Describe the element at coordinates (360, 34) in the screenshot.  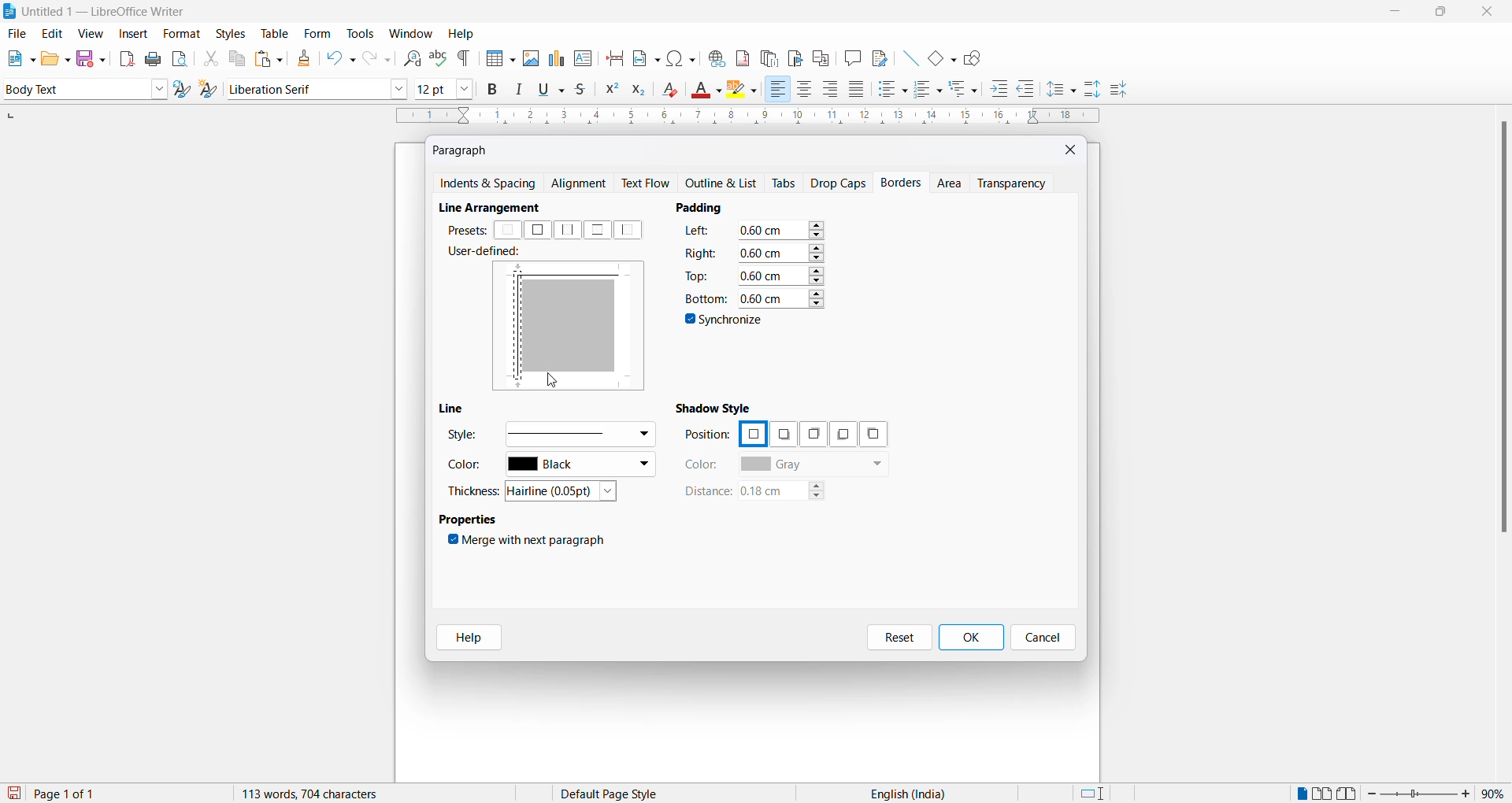
I see `tools` at that location.